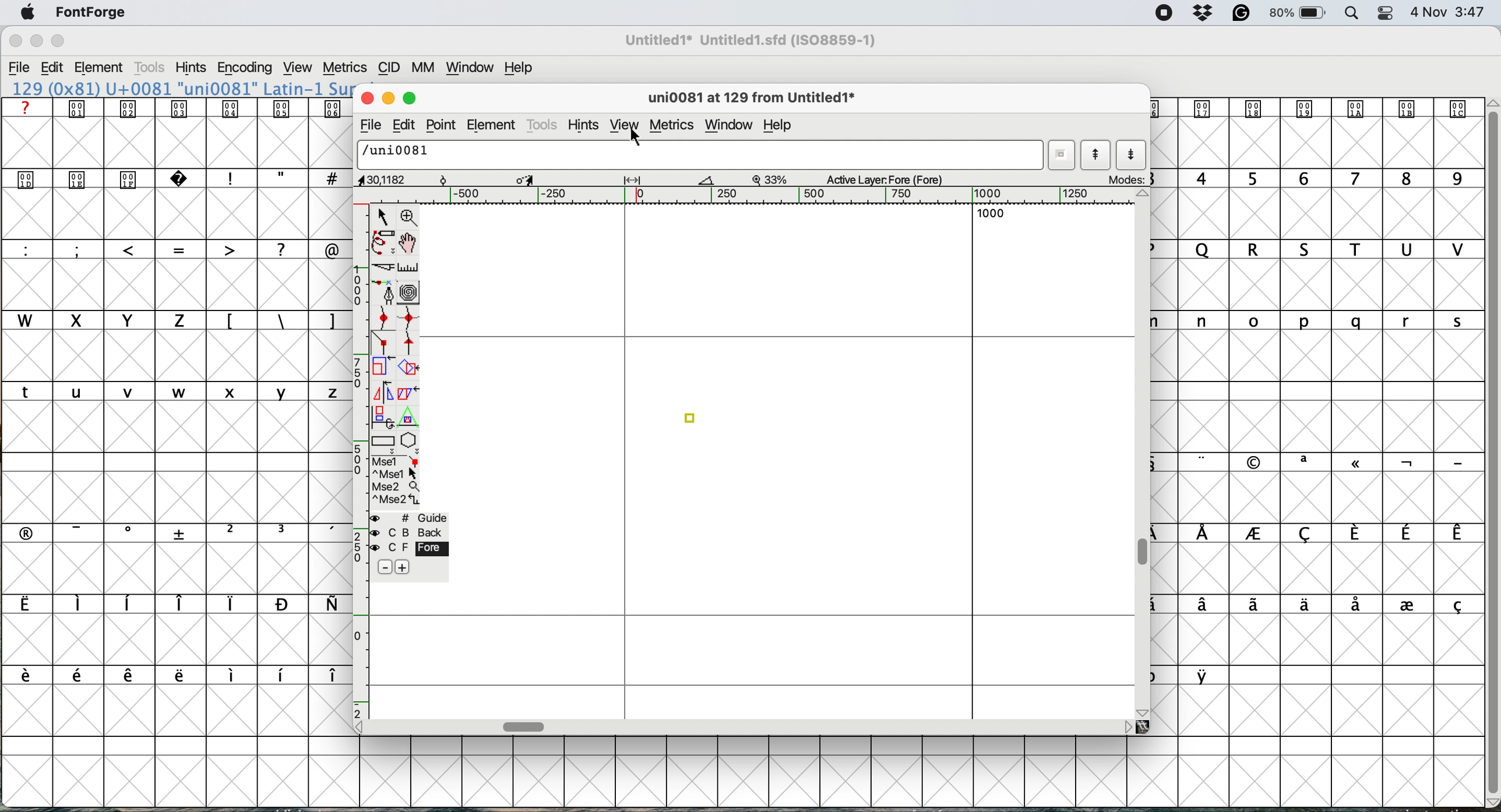 The image size is (1501, 812). Describe the element at coordinates (729, 125) in the screenshot. I see `window` at that location.